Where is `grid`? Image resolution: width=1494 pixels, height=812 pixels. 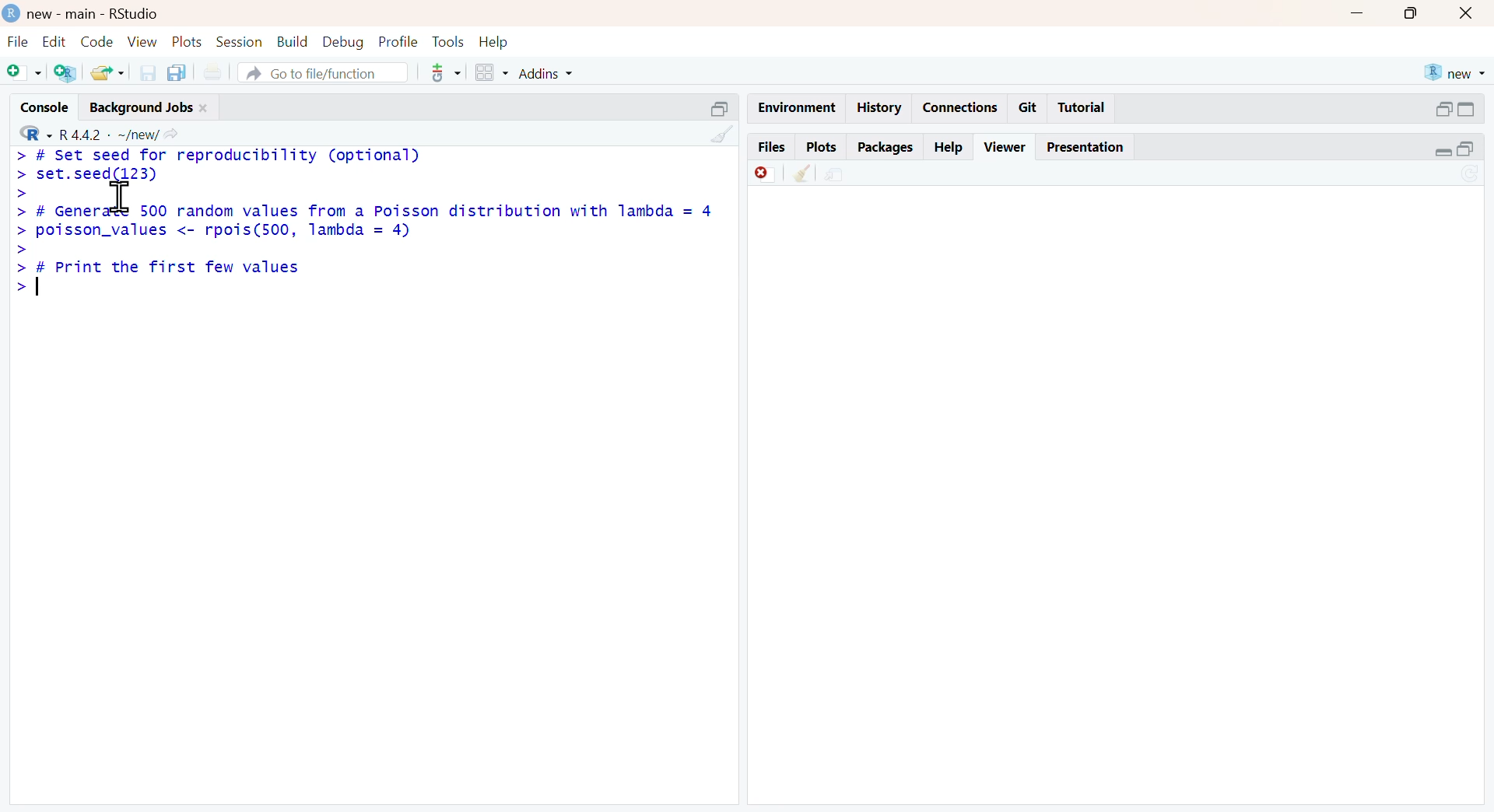
grid is located at coordinates (493, 72).